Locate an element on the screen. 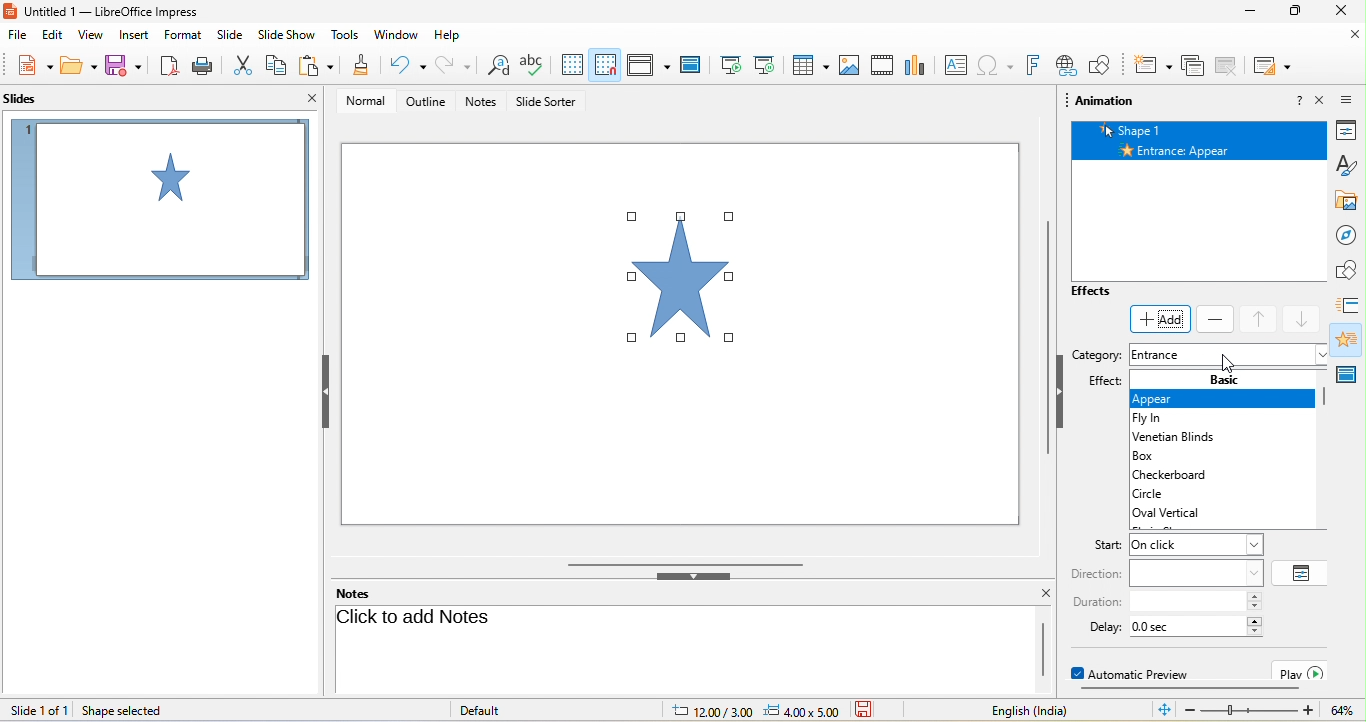  the document has not been modified since the last save is located at coordinates (876, 710).